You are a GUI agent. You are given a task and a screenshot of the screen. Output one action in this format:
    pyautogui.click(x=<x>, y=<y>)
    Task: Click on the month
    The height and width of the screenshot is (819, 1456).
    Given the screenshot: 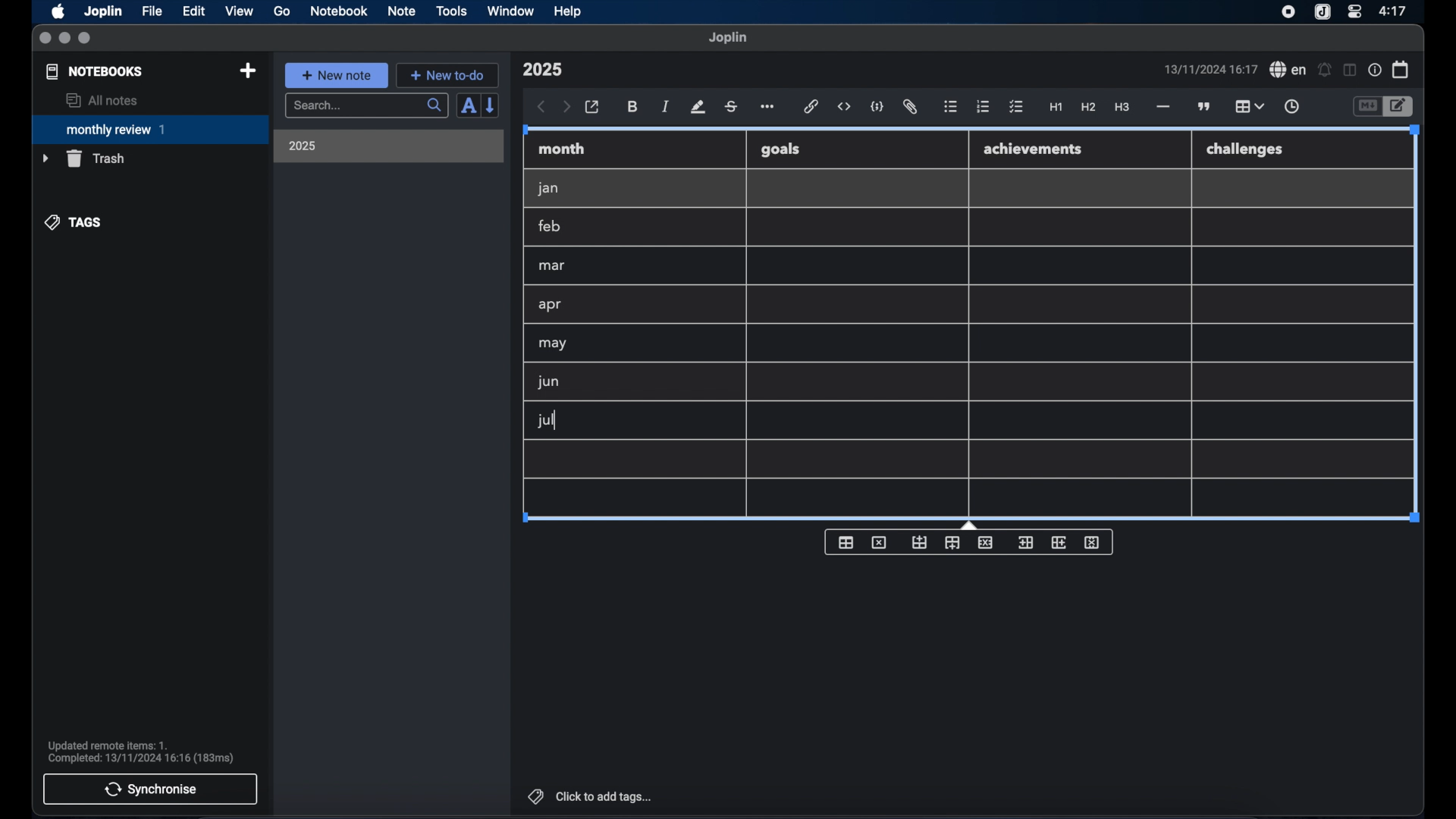 What is the action you would take?
    pyautogui.click(x=562, y=149)
    